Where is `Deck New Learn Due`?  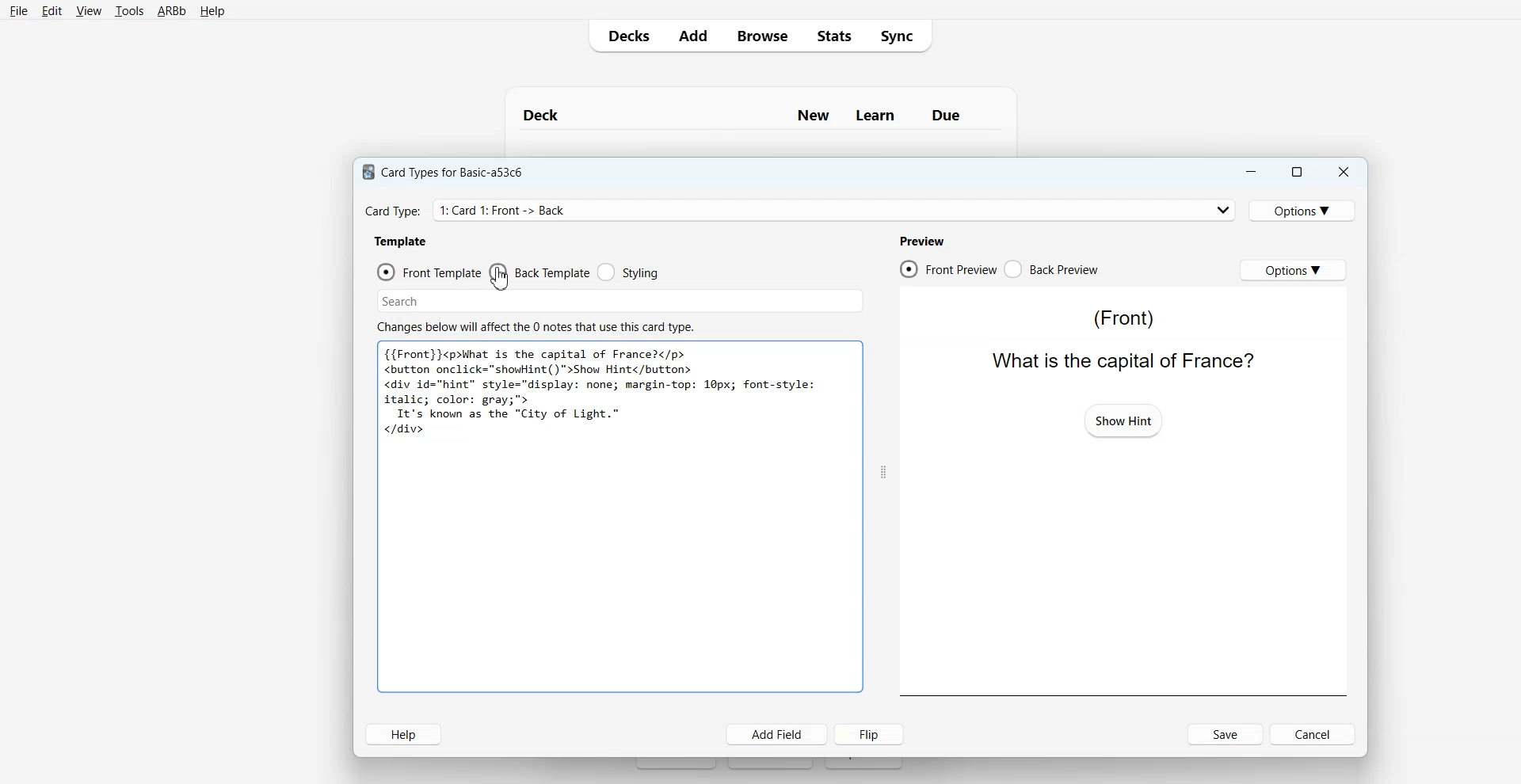
Deck New Learn Due is located at coordinates (750, 115).